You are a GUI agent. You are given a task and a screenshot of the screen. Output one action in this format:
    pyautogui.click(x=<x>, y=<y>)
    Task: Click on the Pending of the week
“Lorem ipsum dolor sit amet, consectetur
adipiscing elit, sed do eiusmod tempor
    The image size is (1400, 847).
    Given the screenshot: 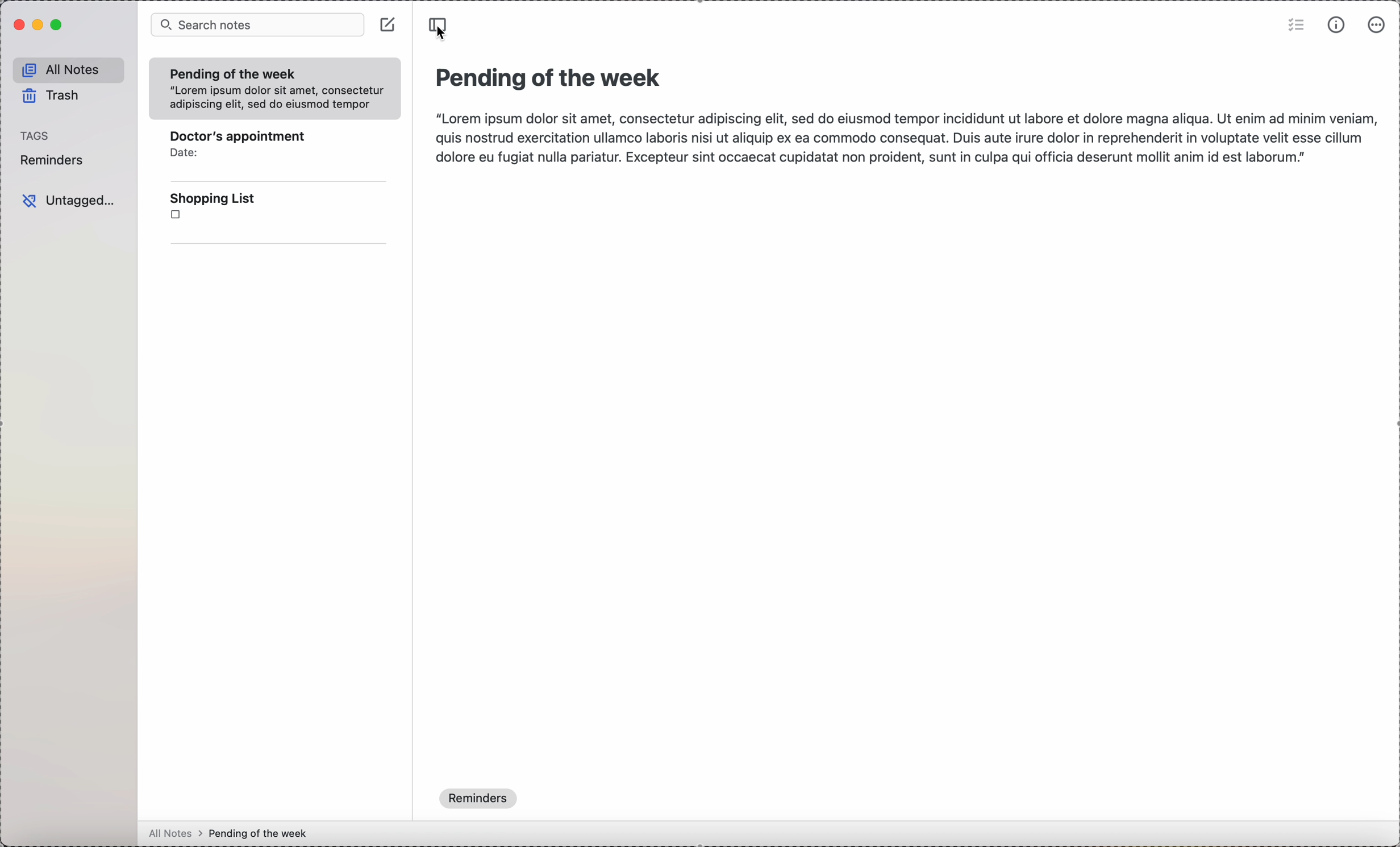 What is the action you would take?
    pyautogui.click(x=273, y=92)
    